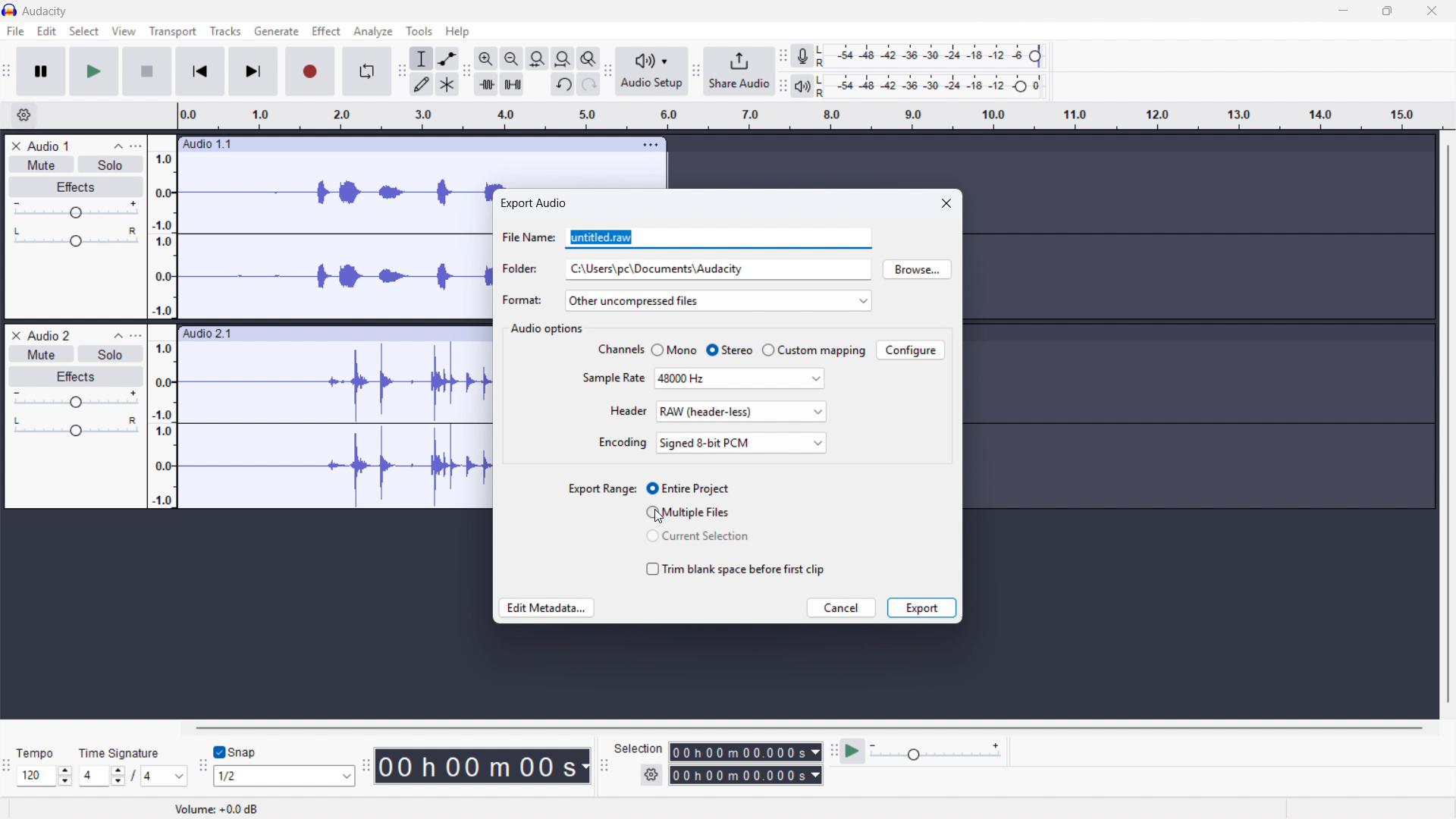 The image size is (1456, 819). Describe the element at coordinates (536, 58) in the screenshot. I see `Fit selection to width` at that location.